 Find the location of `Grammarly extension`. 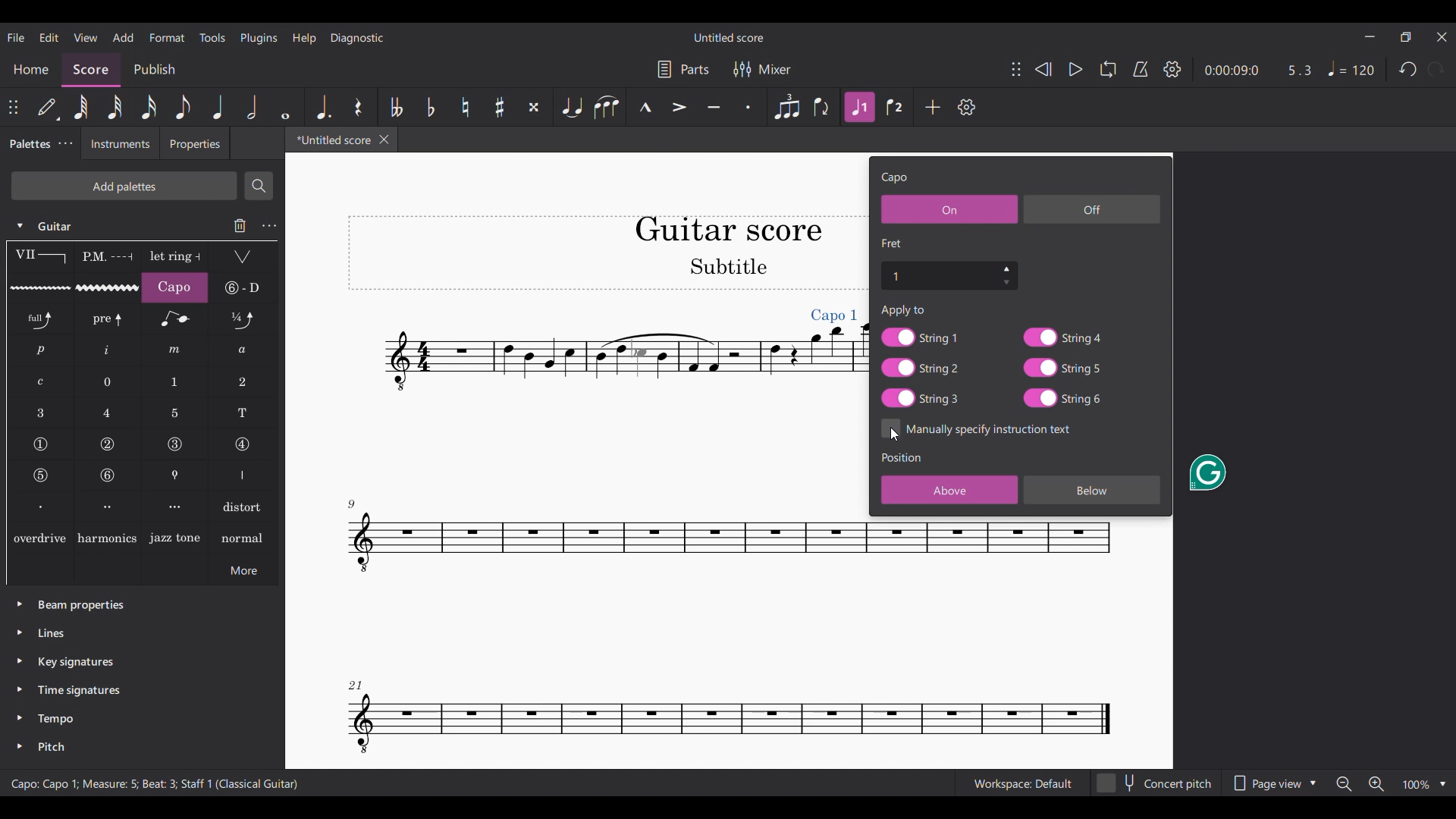

Grammarly extension is located at coordinates (1207, 472).